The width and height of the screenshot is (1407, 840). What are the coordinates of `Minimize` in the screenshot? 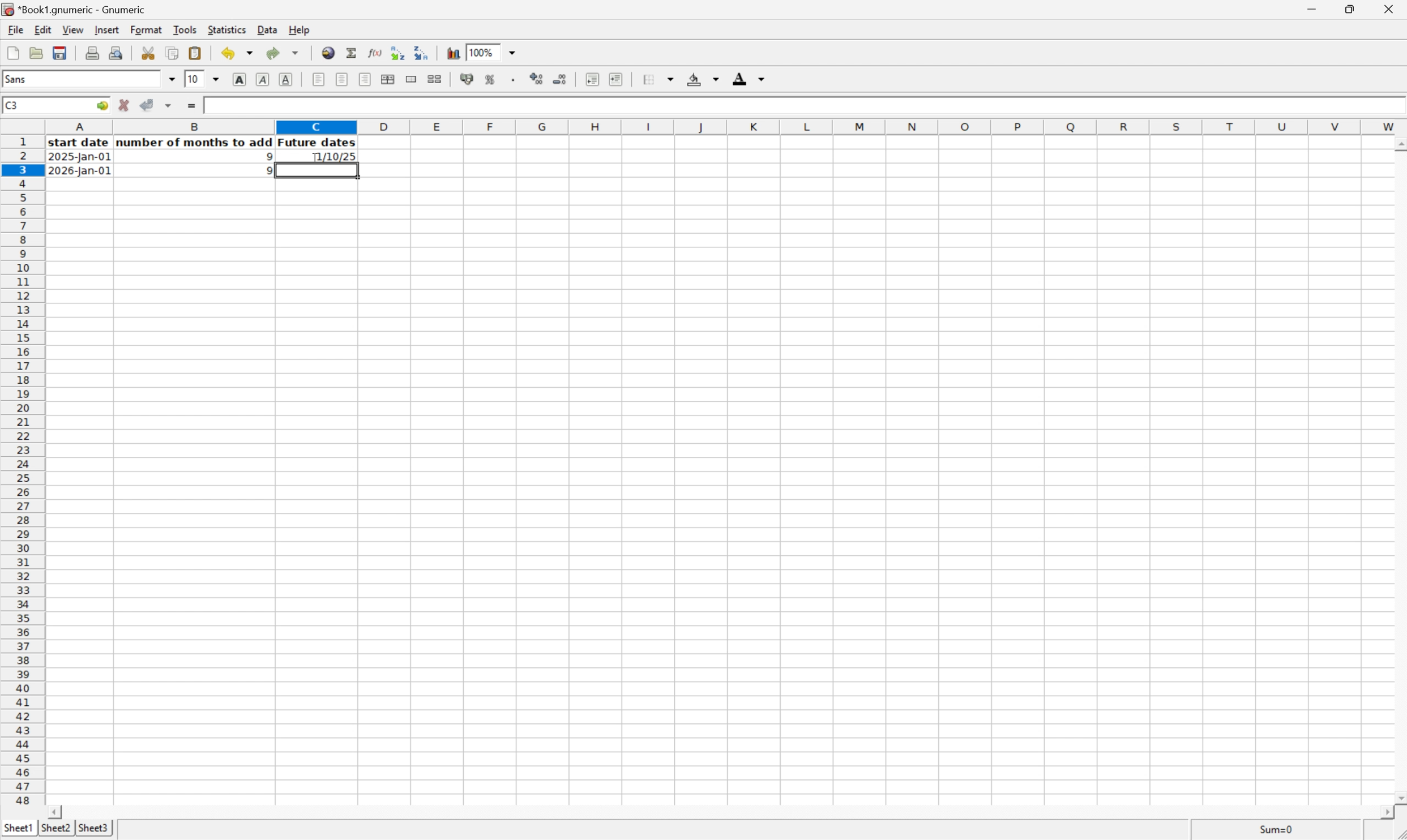 It's located at (1310, 7).